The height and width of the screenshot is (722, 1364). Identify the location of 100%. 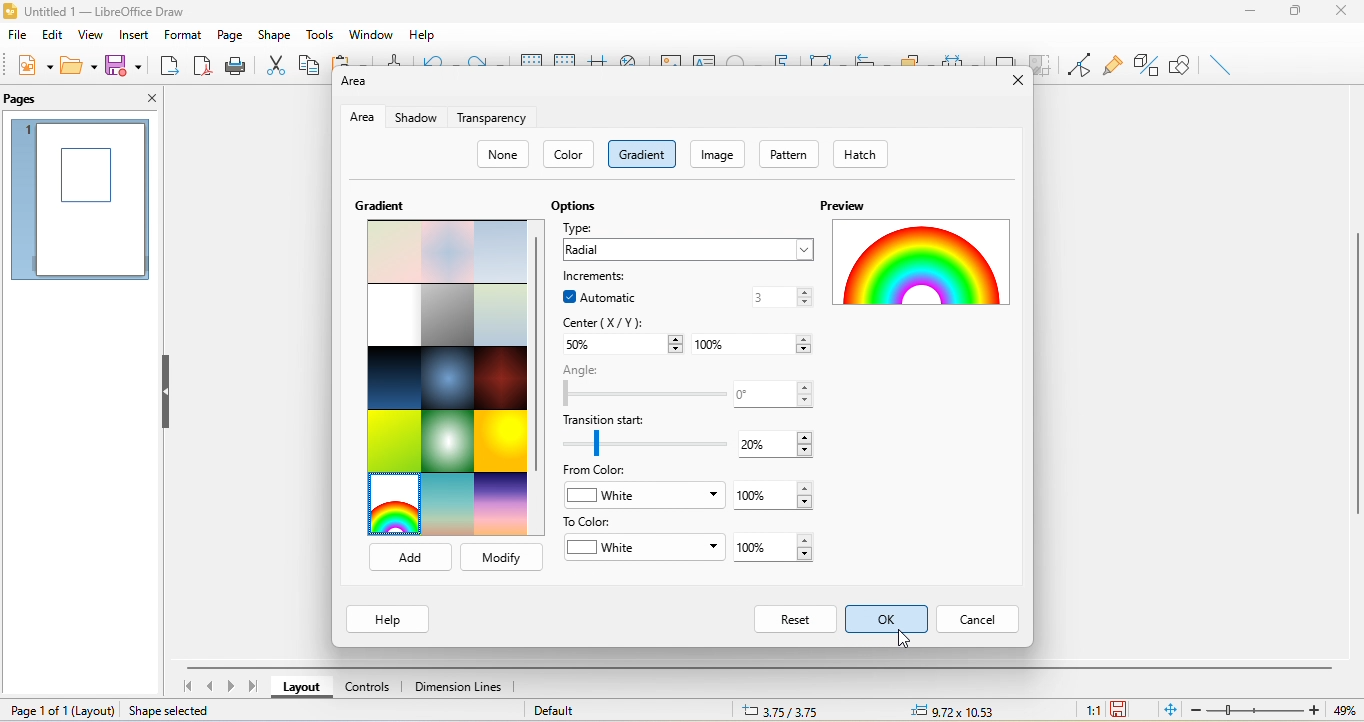
(780, 547).